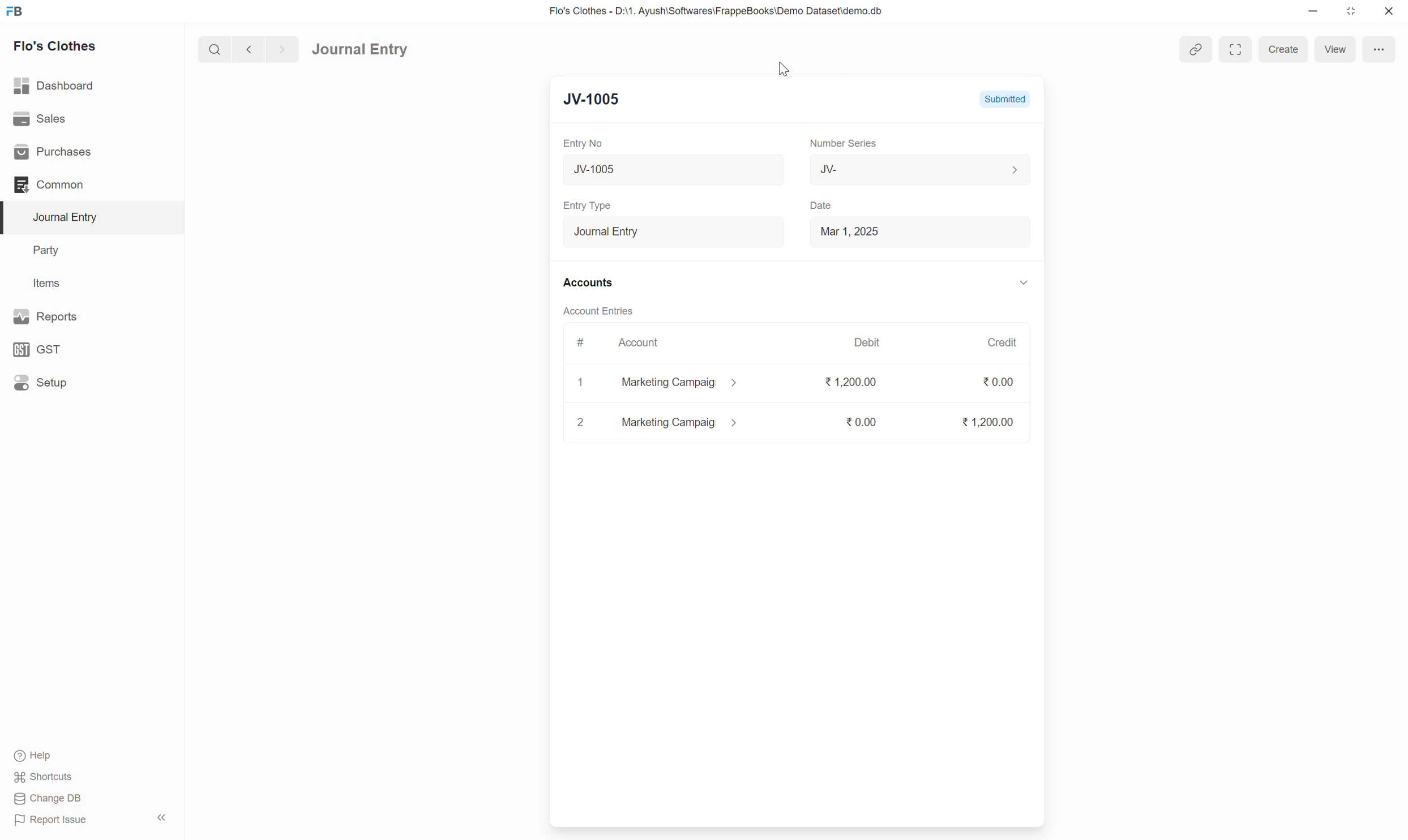 The width and height of the screenshot is (1408, 840). I want to click on search, so click(213, 49).